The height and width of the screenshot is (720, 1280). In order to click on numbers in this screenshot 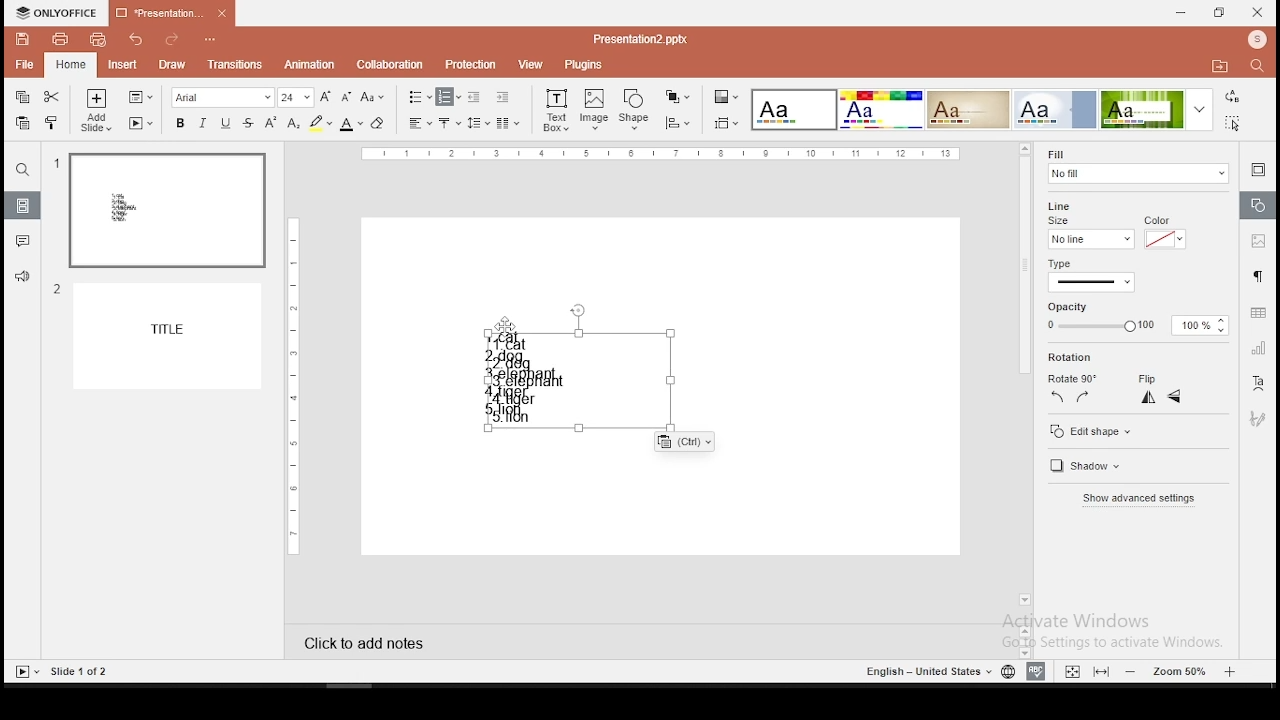, I will do `click(55, 233)`.